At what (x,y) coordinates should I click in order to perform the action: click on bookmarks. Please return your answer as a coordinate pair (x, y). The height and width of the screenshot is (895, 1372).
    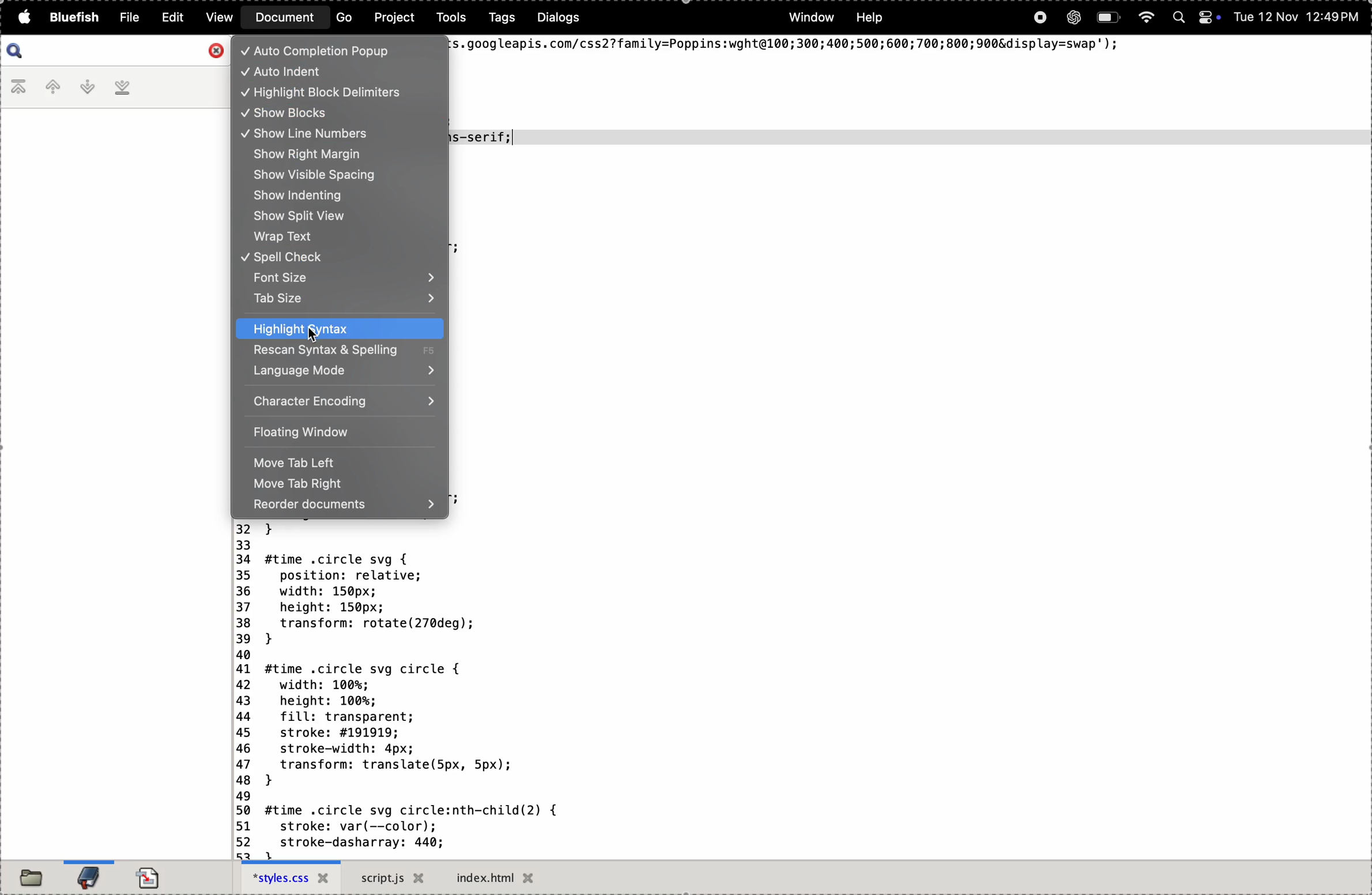
    Looking at the image, I should click on (87, 875).